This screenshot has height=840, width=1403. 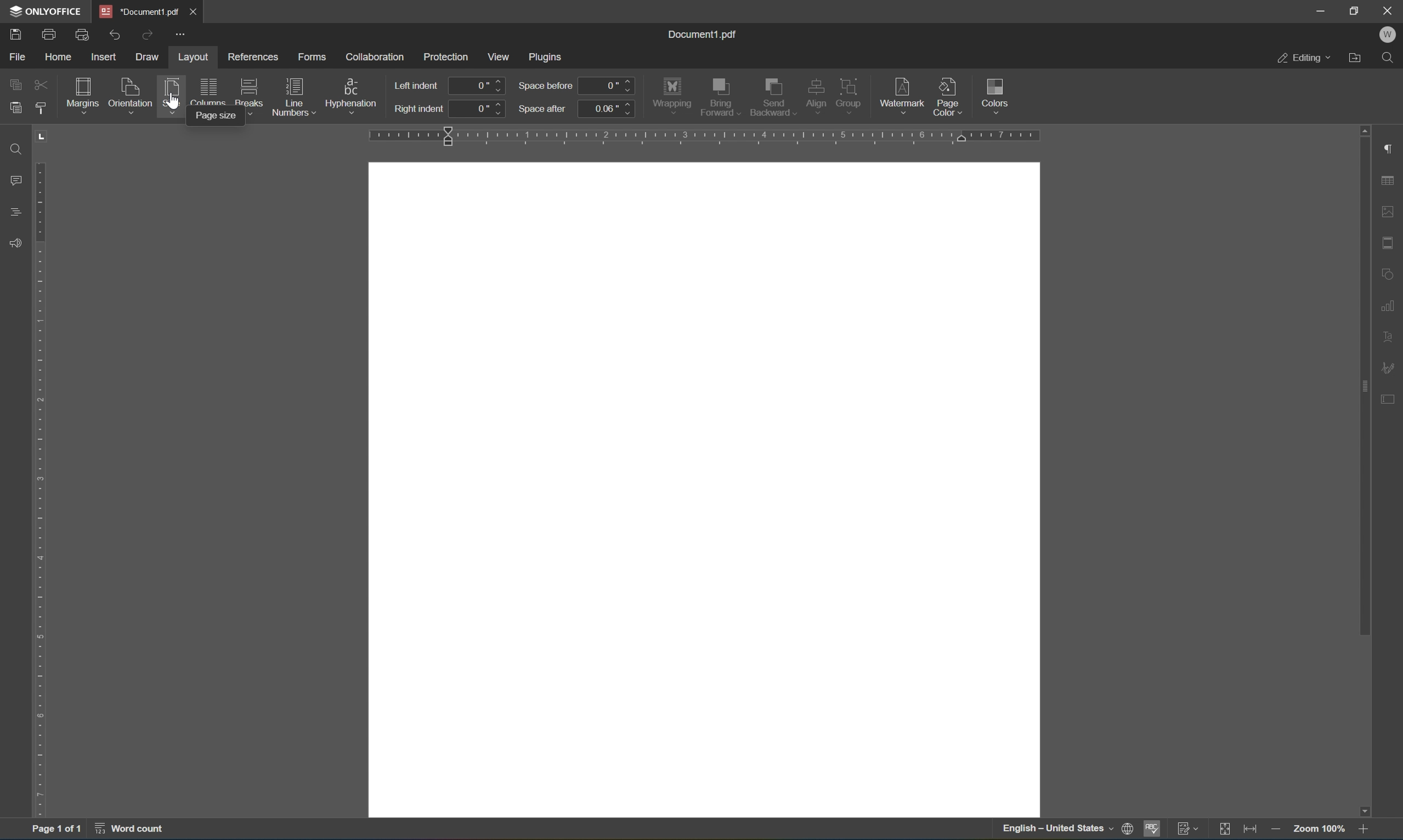 What do you see at coordinates (1067, 830) in the screenshot?
I see `set document language` at bounding box center [1067, 830].